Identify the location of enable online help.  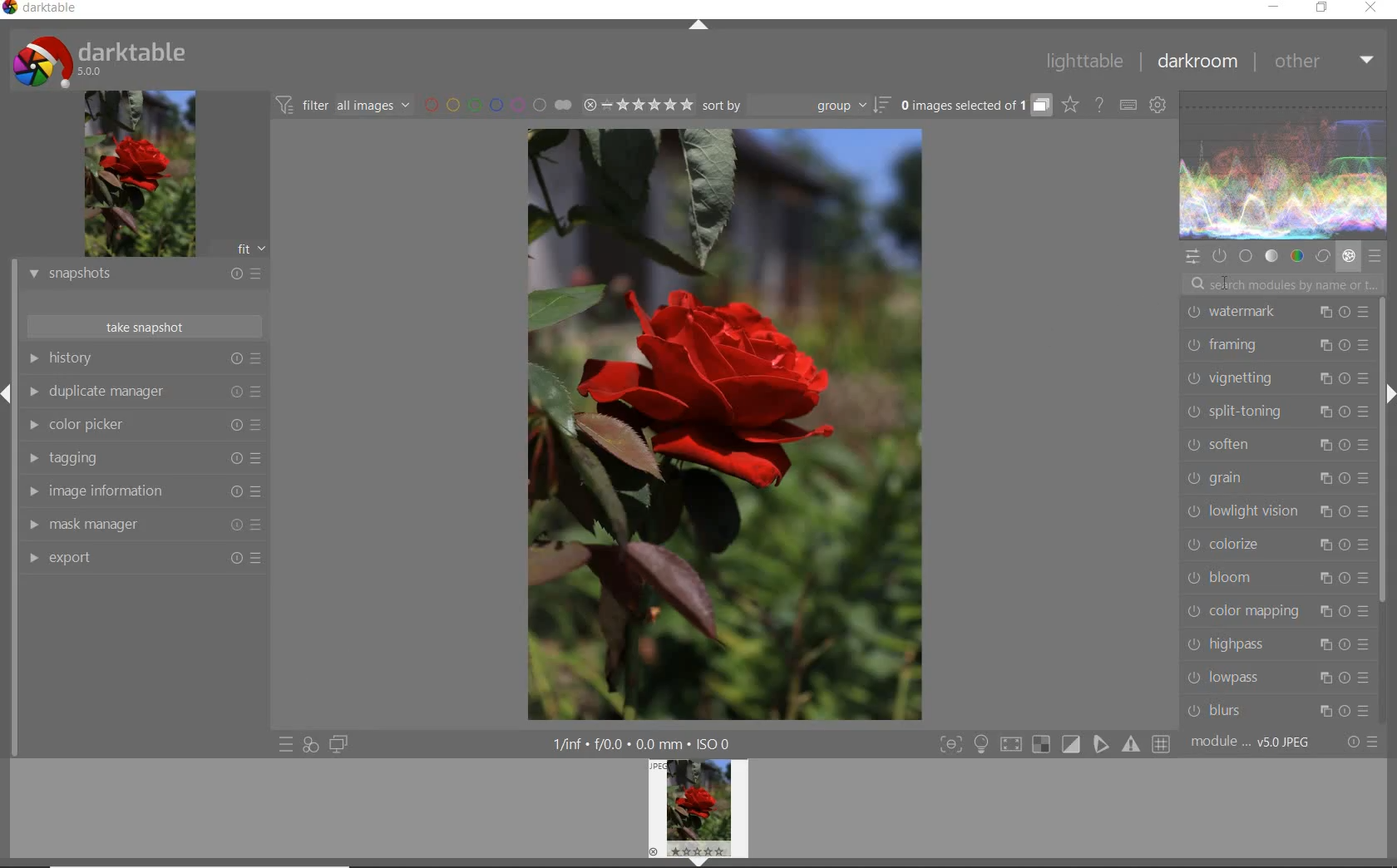
(1100, 105).